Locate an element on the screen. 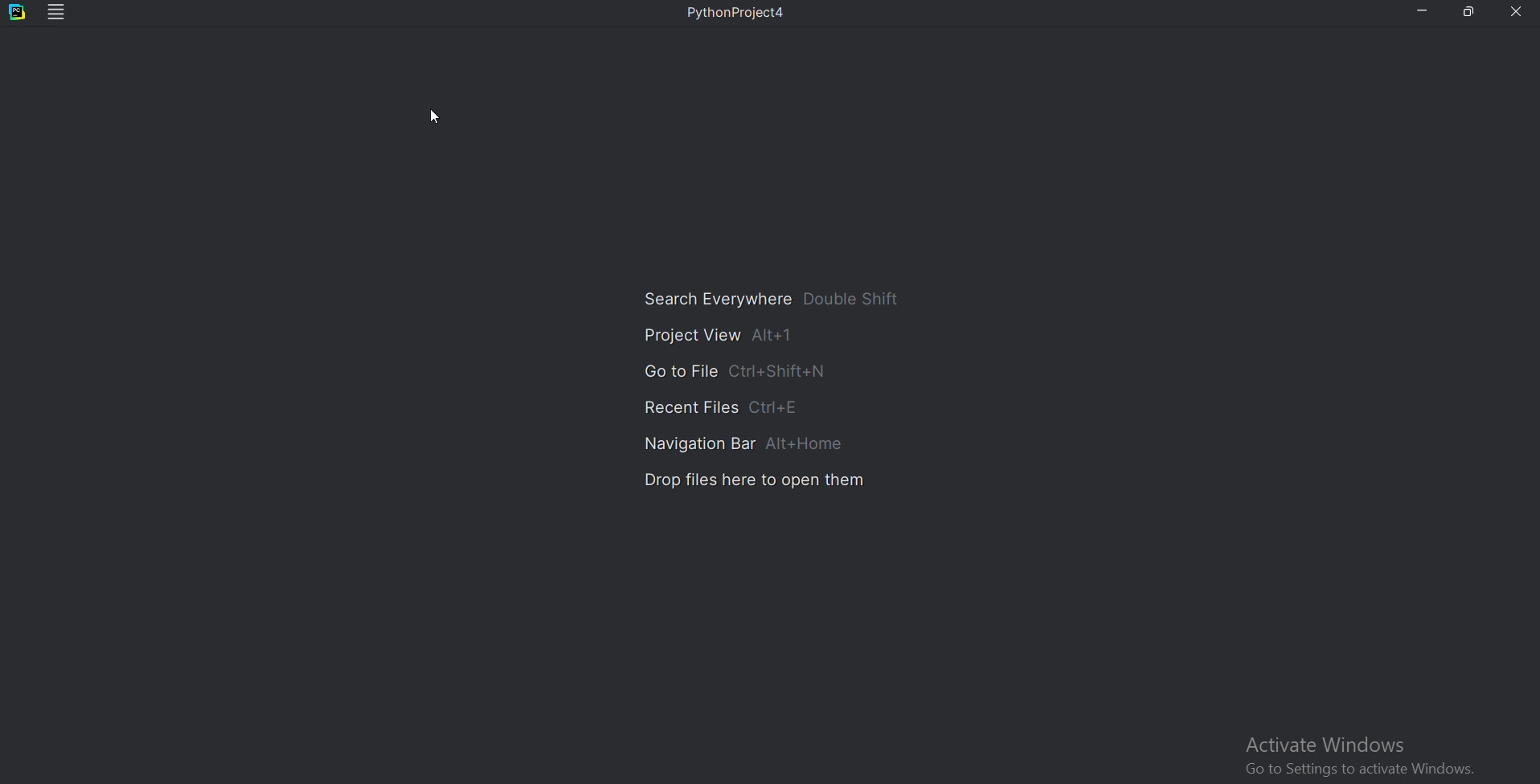 The width and height of the screenshot is (1540, 784). Project name is located at coordinates (742, 16).